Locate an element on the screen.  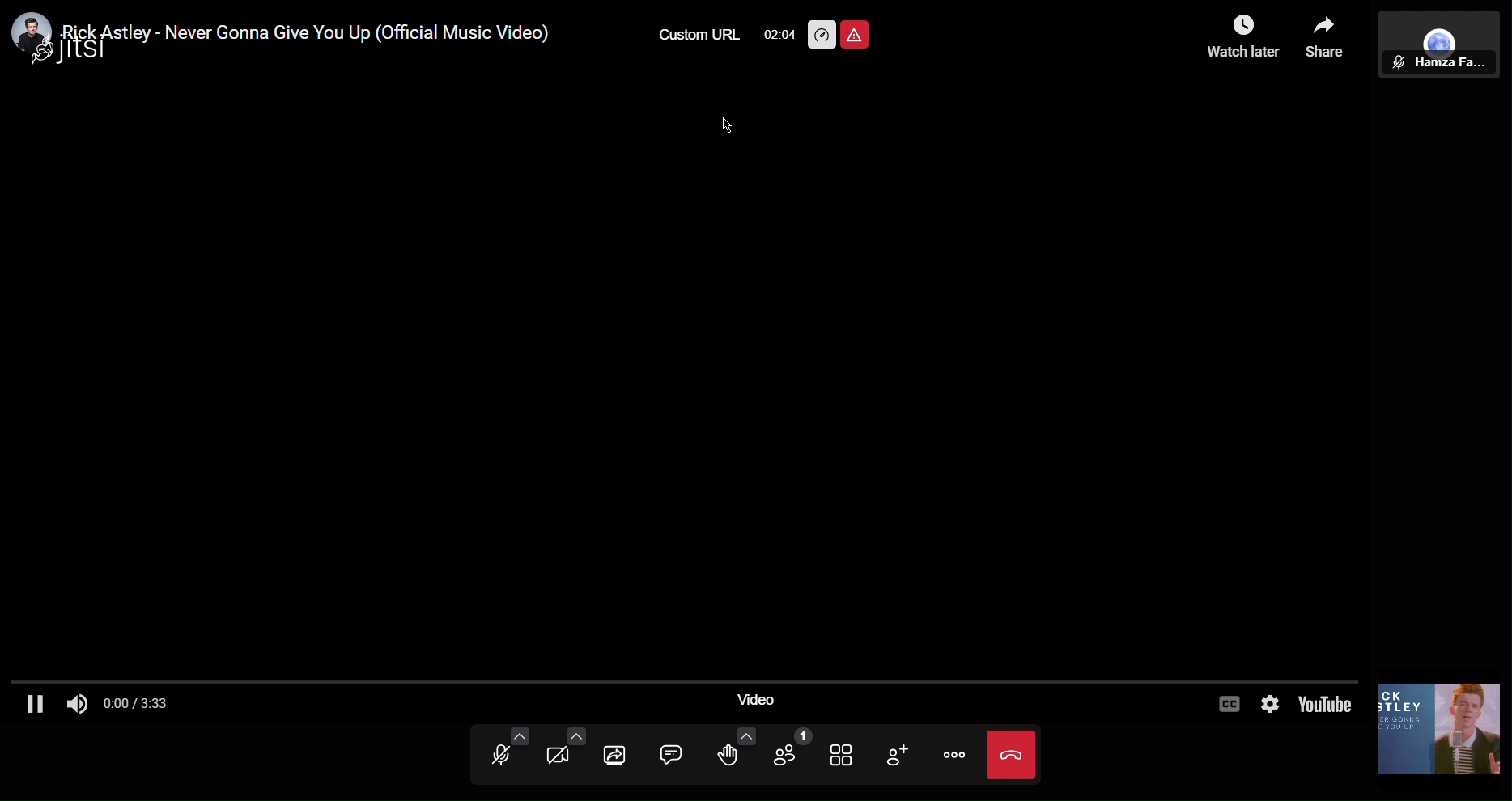
Audio is located at coordinates (507, 753).